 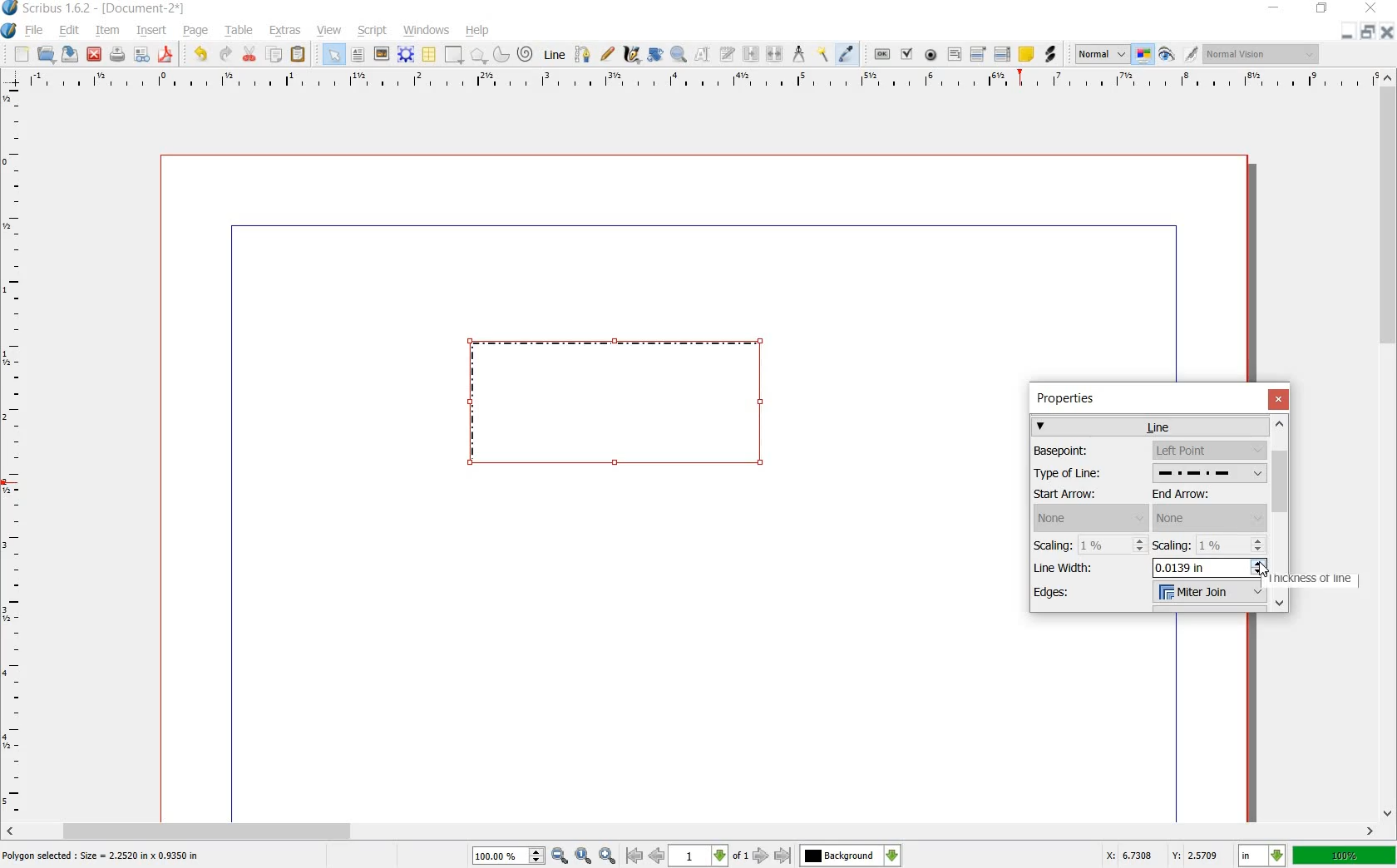 I want to click on thickness of line, so click(x=1326, y=580).